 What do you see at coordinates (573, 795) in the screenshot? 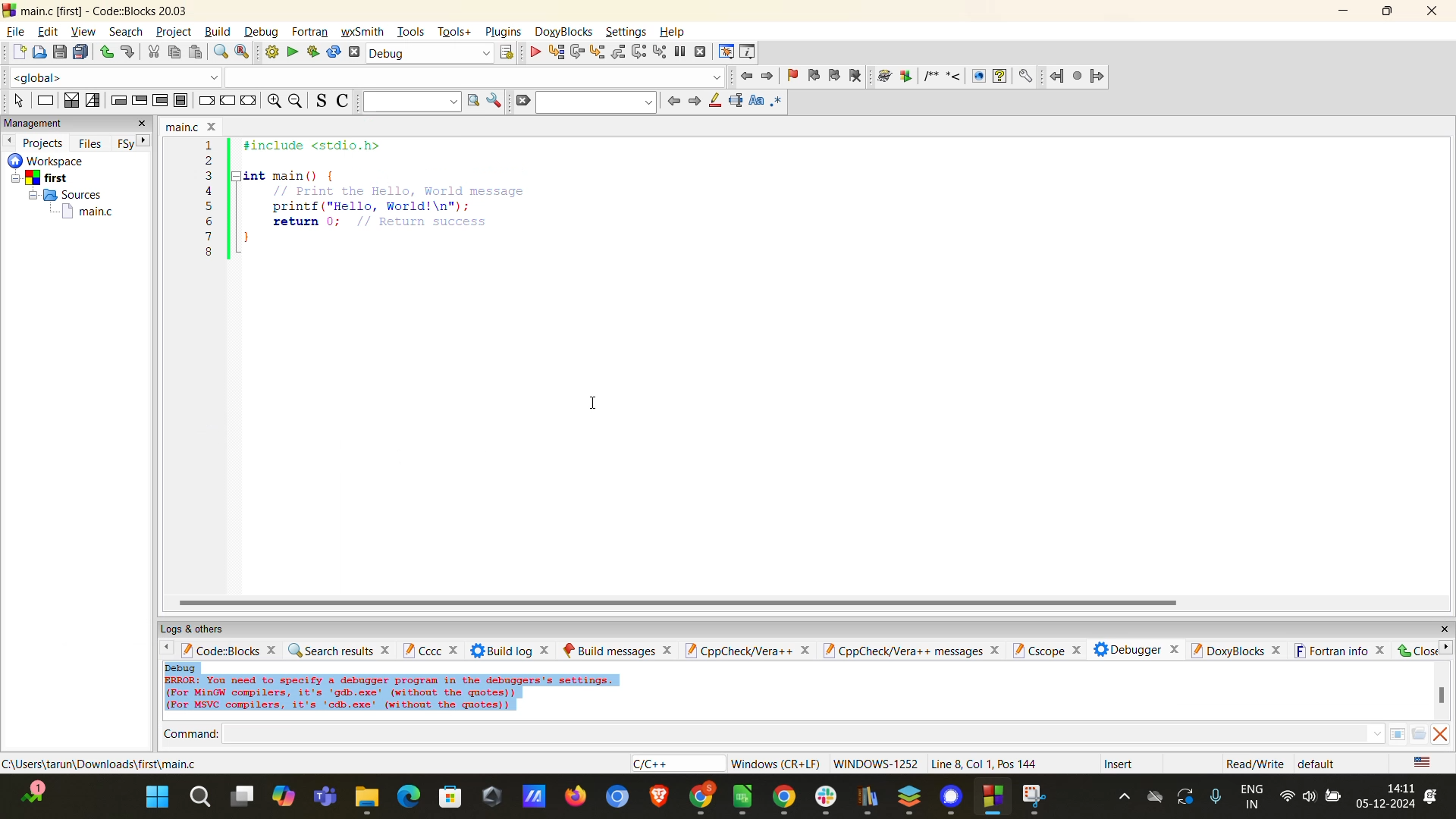
I see `firefox` at bounding box center [573, 795].